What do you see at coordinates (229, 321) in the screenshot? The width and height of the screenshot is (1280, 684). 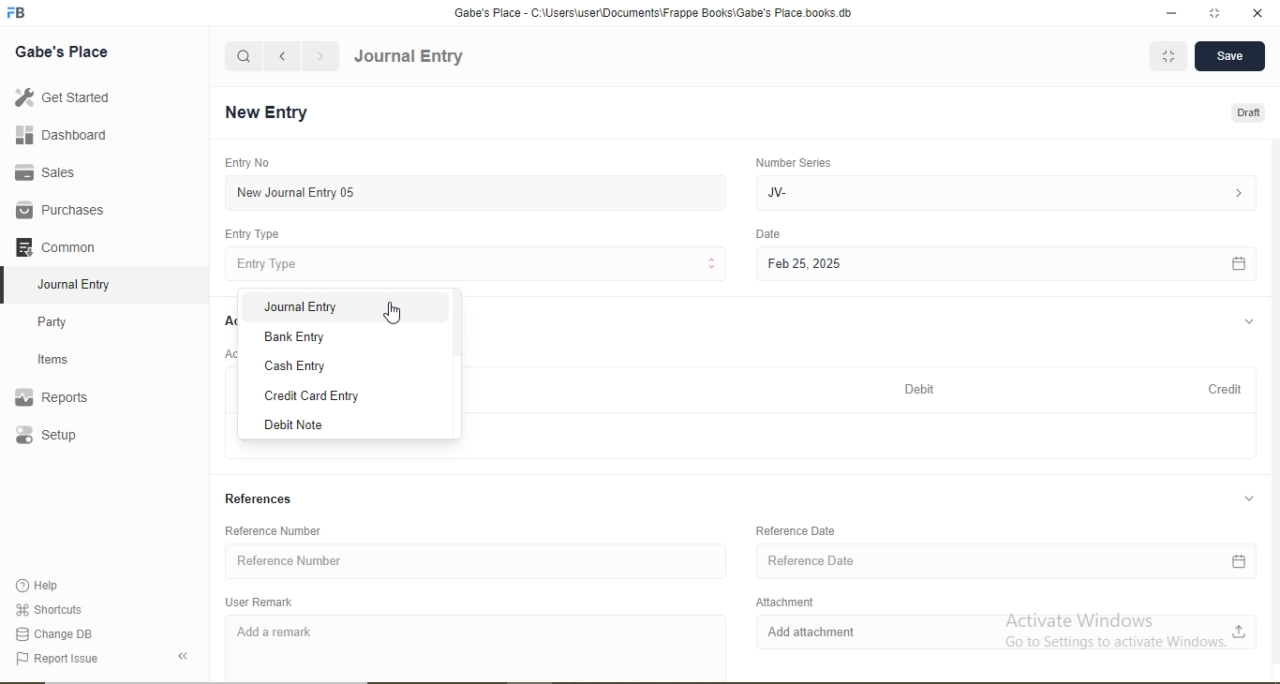 I see `Accounts.` at bounding box center [229, 321].